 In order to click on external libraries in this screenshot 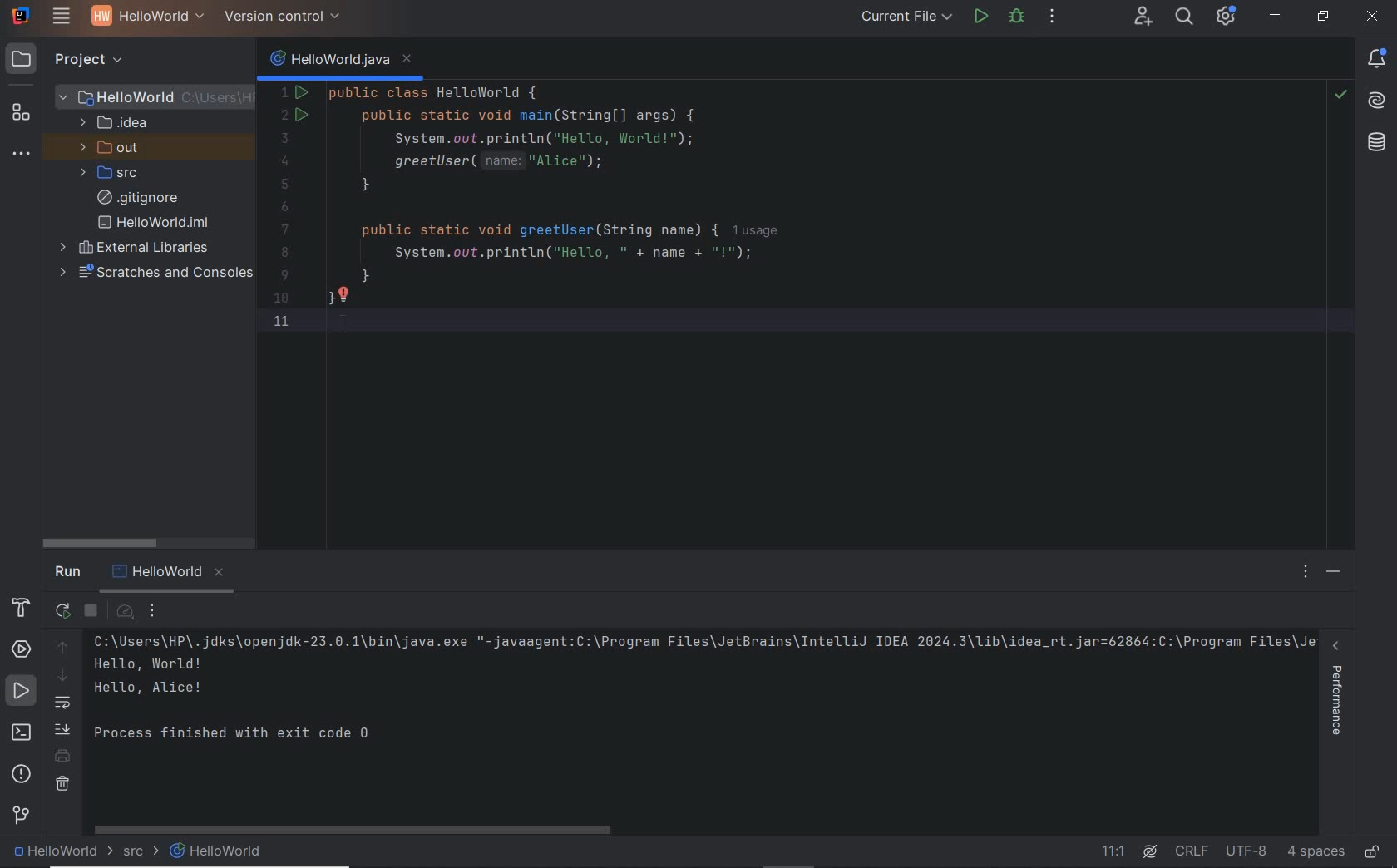, I will do `click(136, 249)`.